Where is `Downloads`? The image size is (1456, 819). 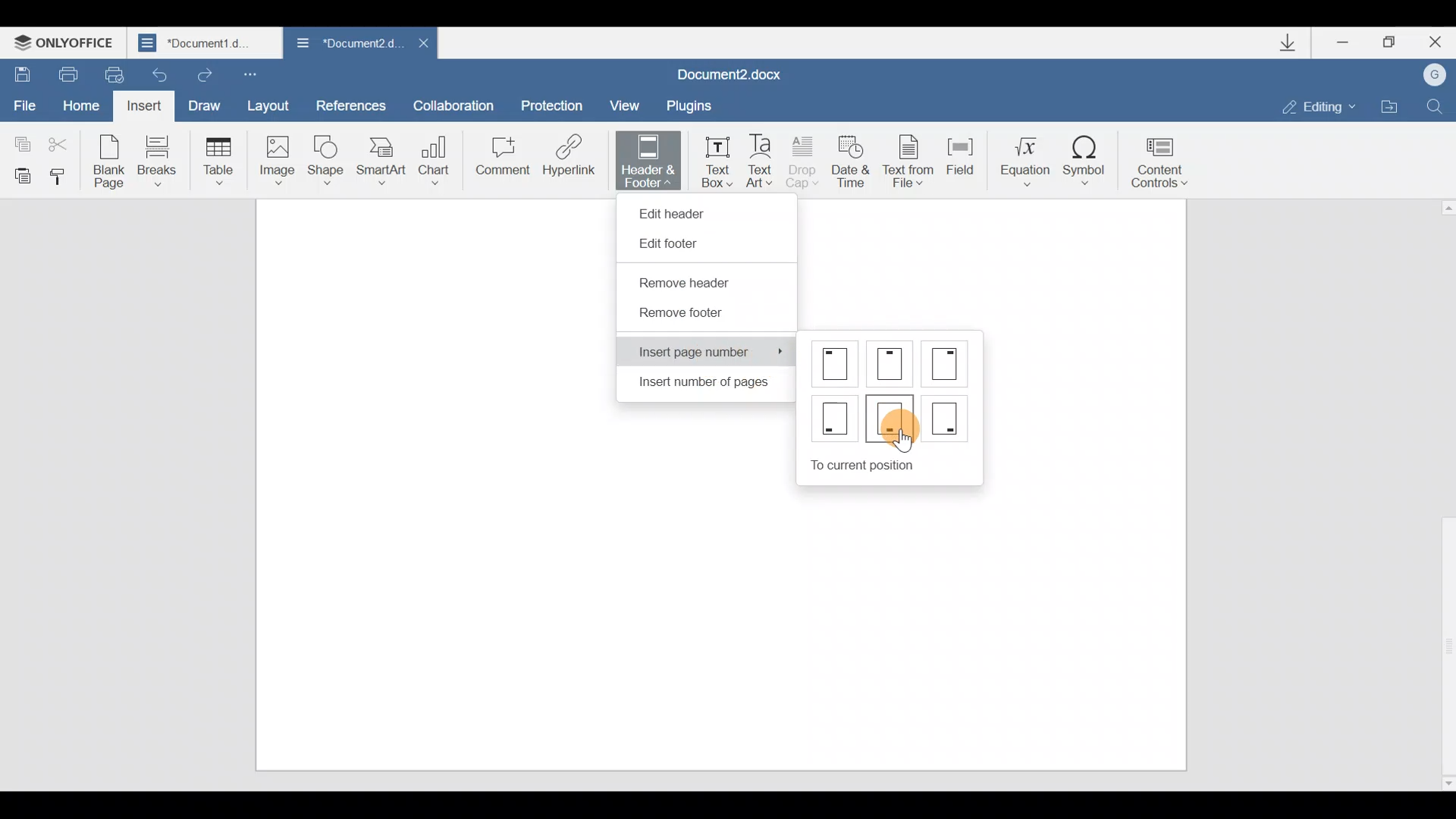
Downloads is located at coordinates (1288, 42).